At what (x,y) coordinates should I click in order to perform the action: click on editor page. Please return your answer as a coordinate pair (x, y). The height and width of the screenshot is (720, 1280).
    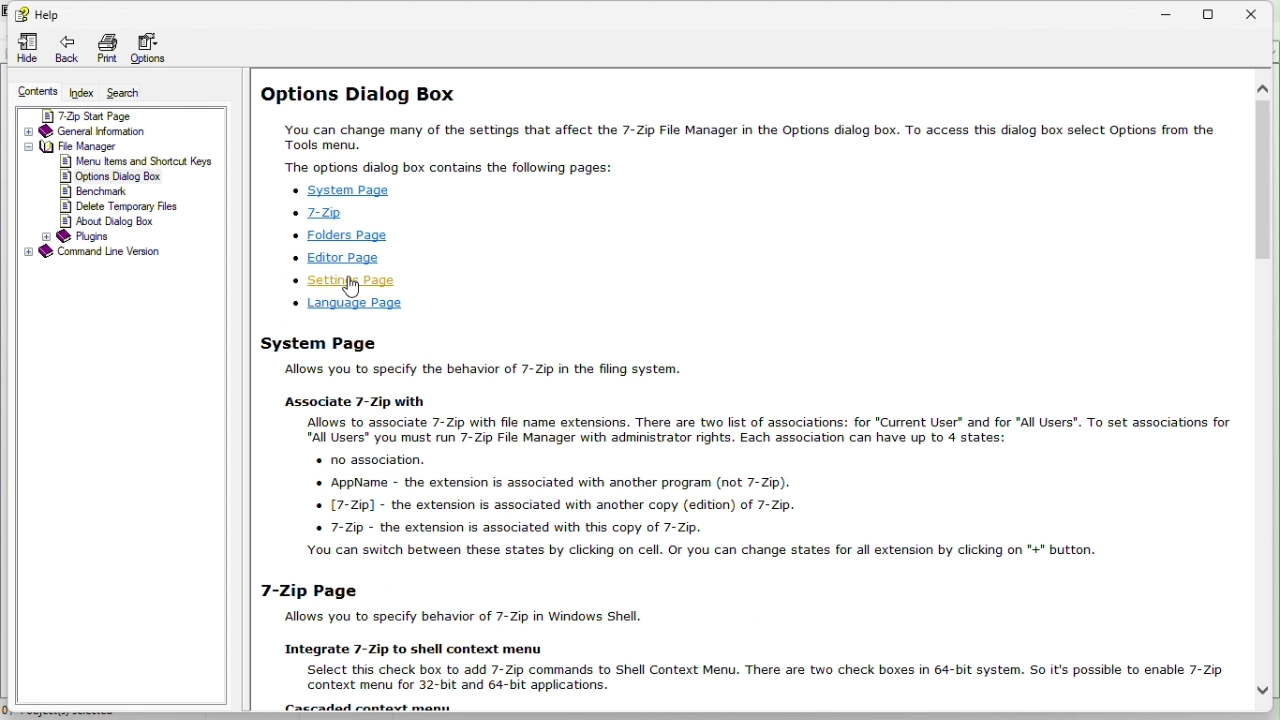
    Looking at the image, I should click on (348, 259).